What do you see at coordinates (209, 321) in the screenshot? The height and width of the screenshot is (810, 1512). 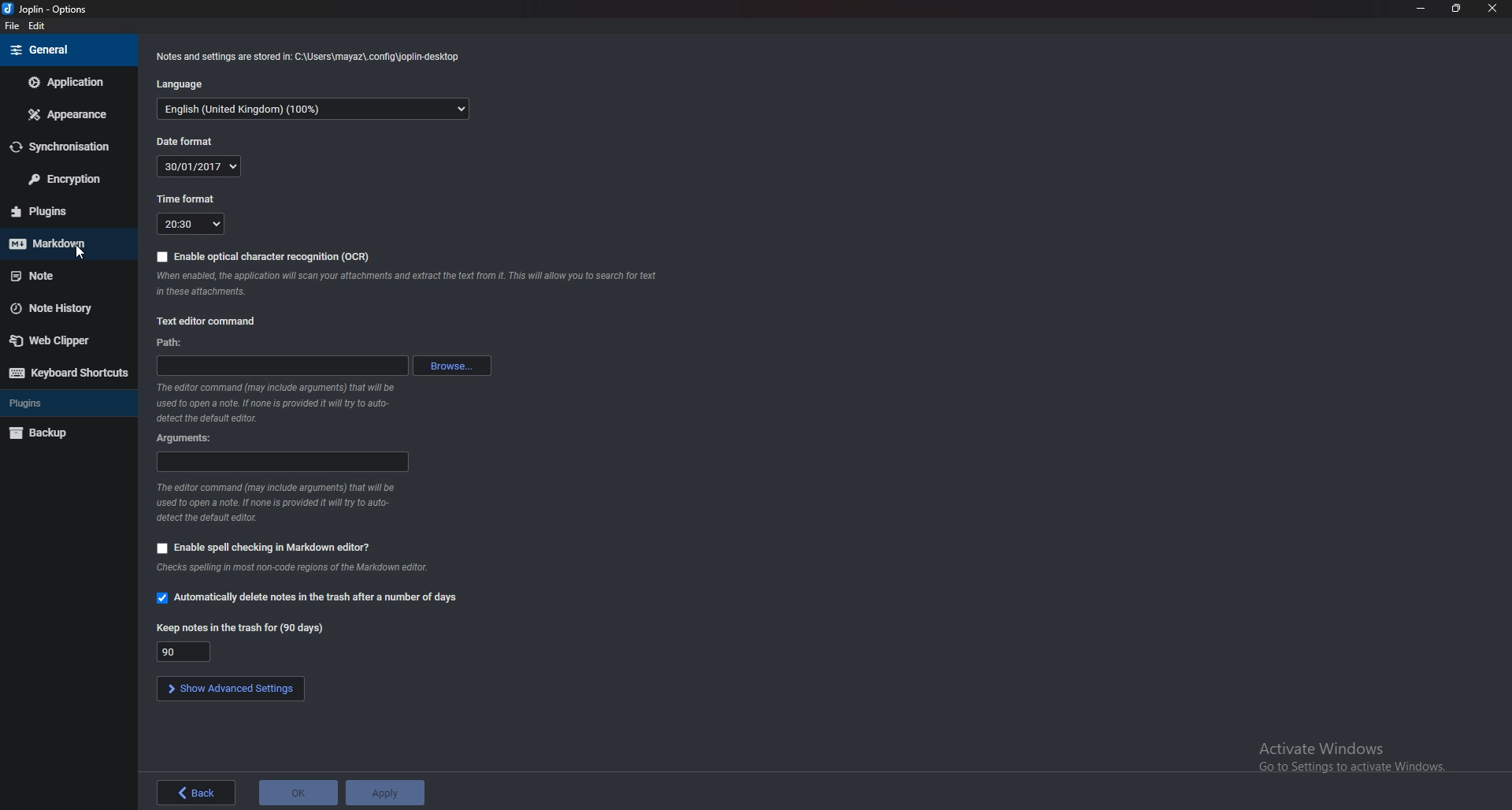 I see `Text editor command` at bounding box center [209, 321].